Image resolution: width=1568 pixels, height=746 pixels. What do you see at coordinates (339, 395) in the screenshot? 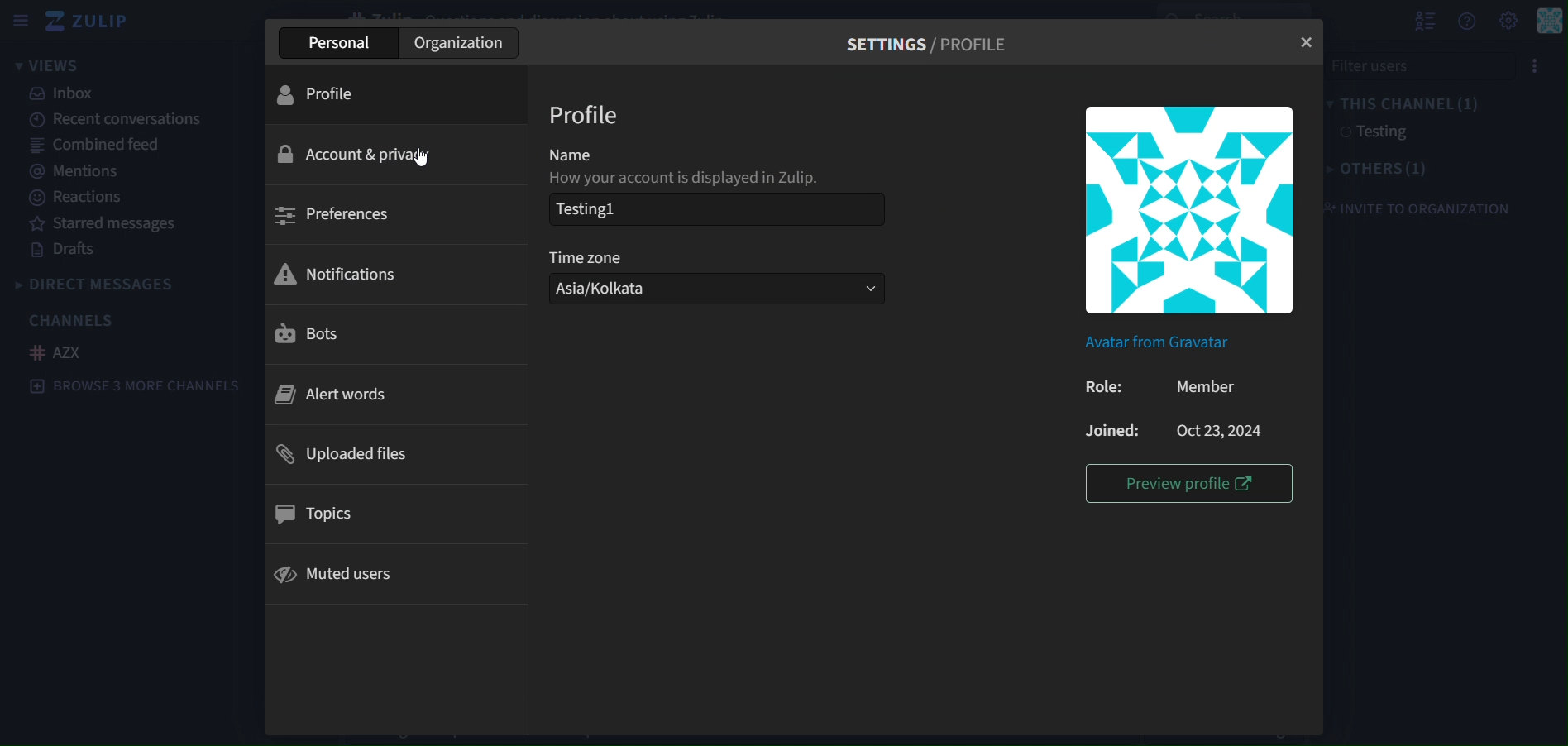
I see `alert words` at bounding box center [339, 395].